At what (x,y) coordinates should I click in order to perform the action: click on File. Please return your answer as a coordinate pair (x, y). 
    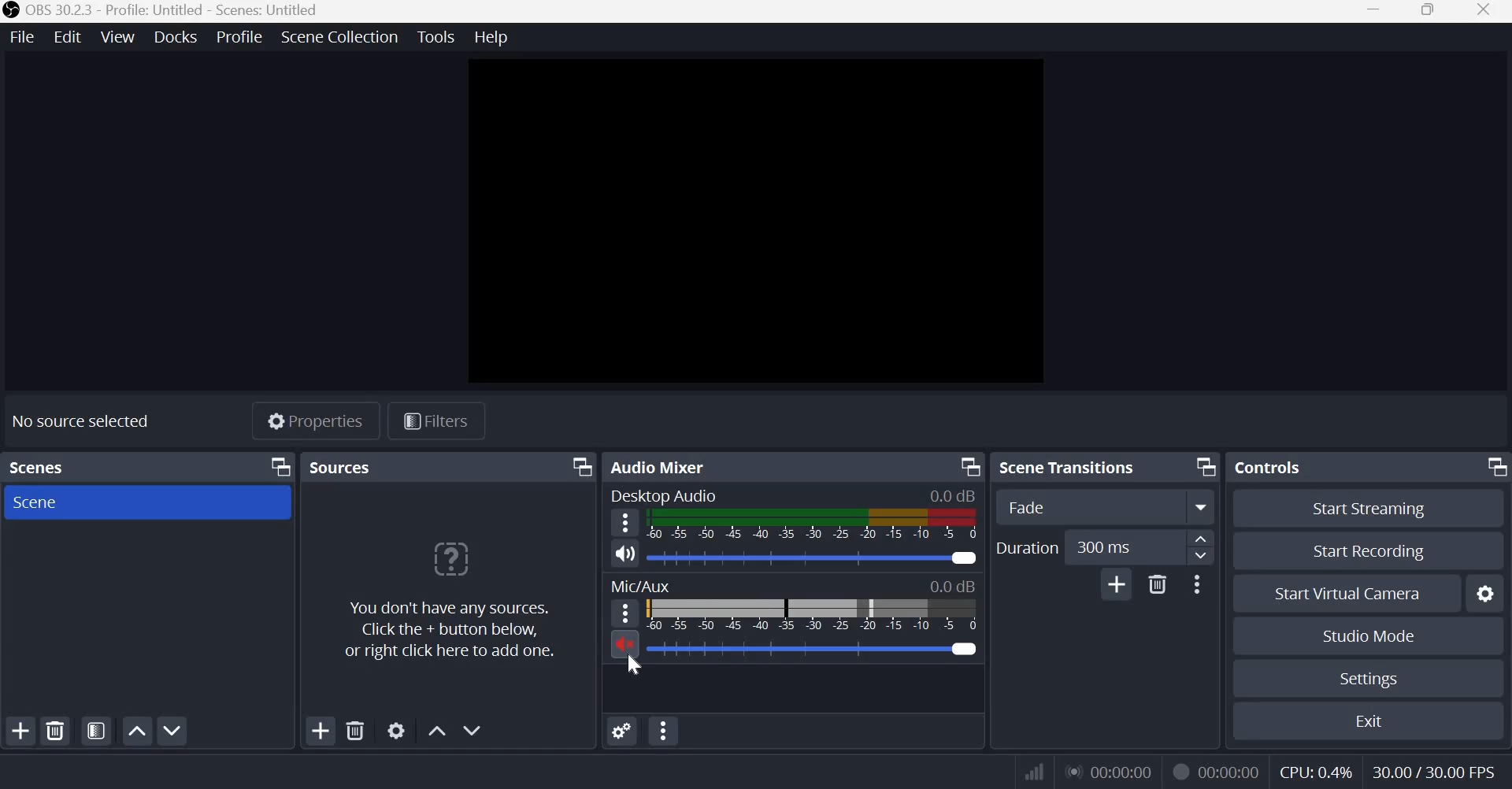
    Looking at the image, I should click on (21, 38).